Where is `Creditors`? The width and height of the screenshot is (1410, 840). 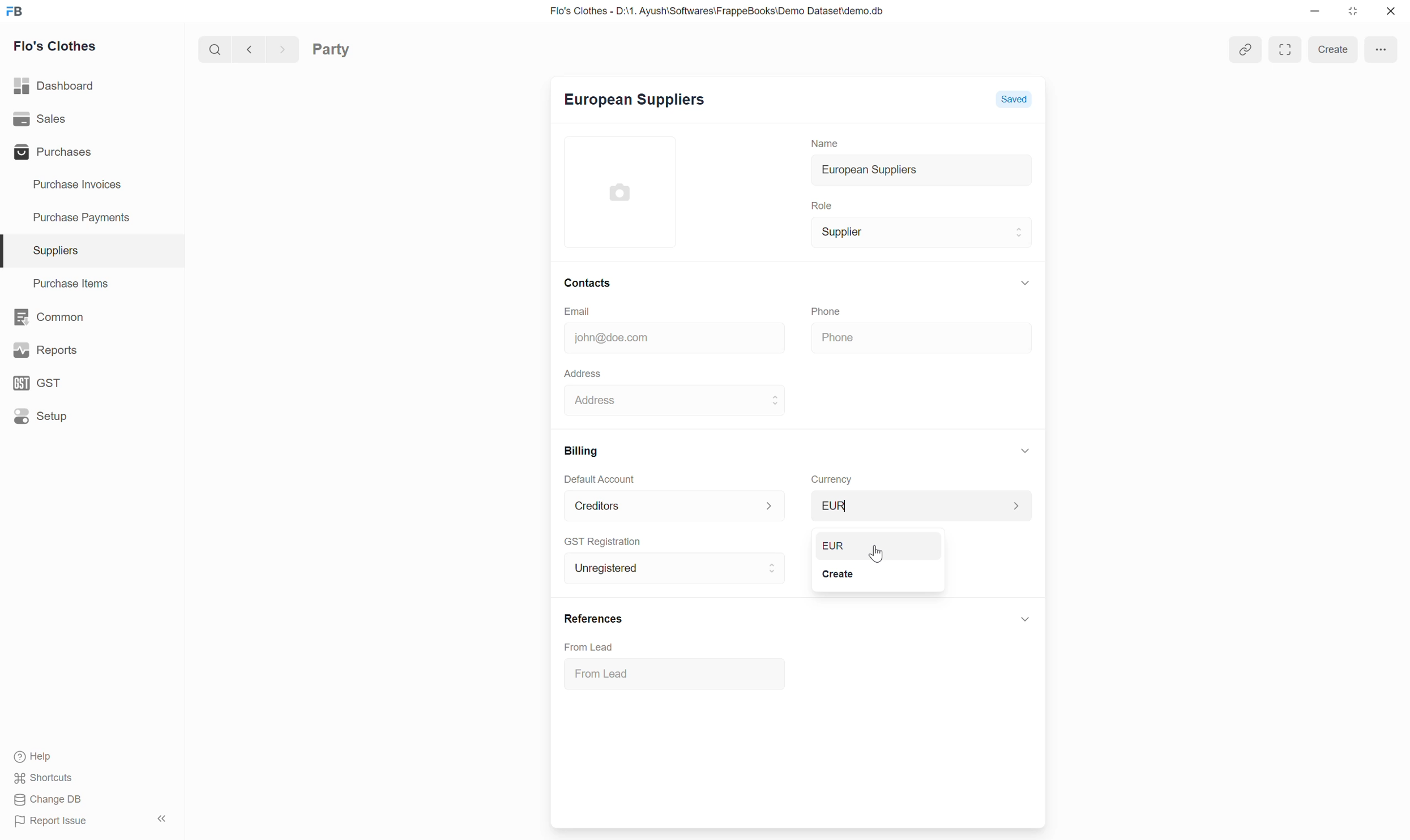 Creditors is located at coordinates (592, 504).